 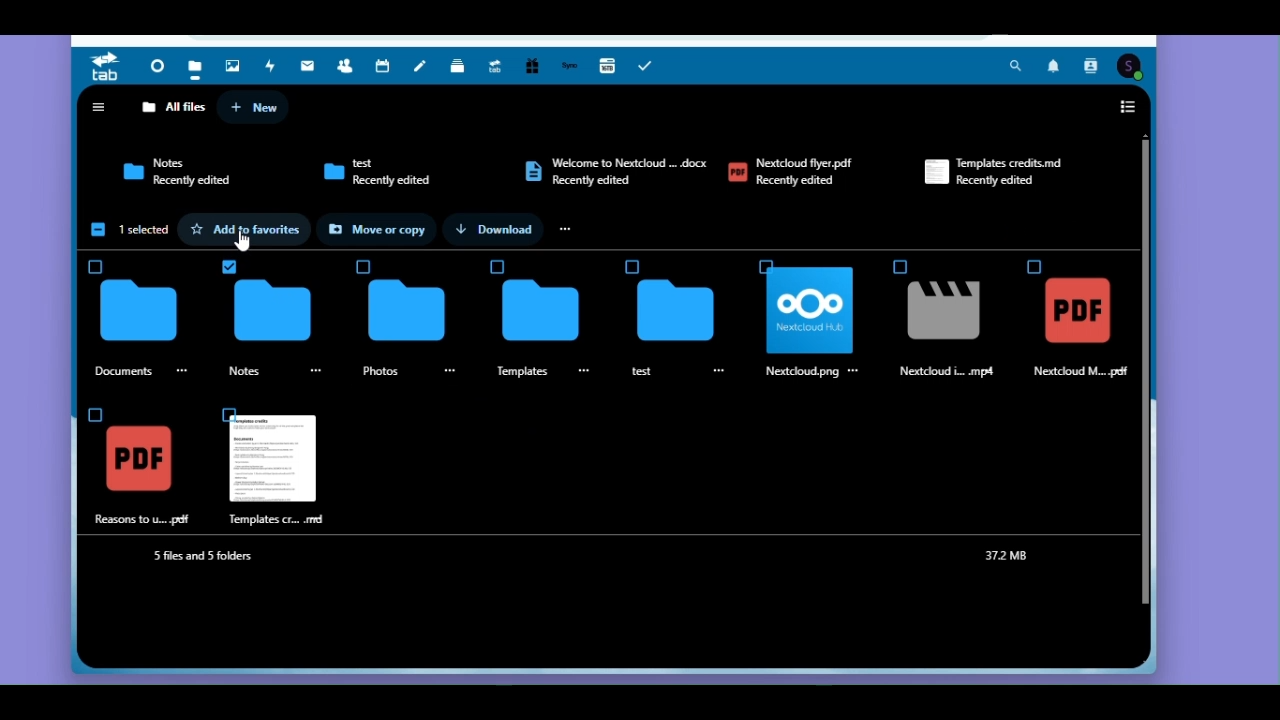 I want to click on Contacts, so click(x=348, y=65).